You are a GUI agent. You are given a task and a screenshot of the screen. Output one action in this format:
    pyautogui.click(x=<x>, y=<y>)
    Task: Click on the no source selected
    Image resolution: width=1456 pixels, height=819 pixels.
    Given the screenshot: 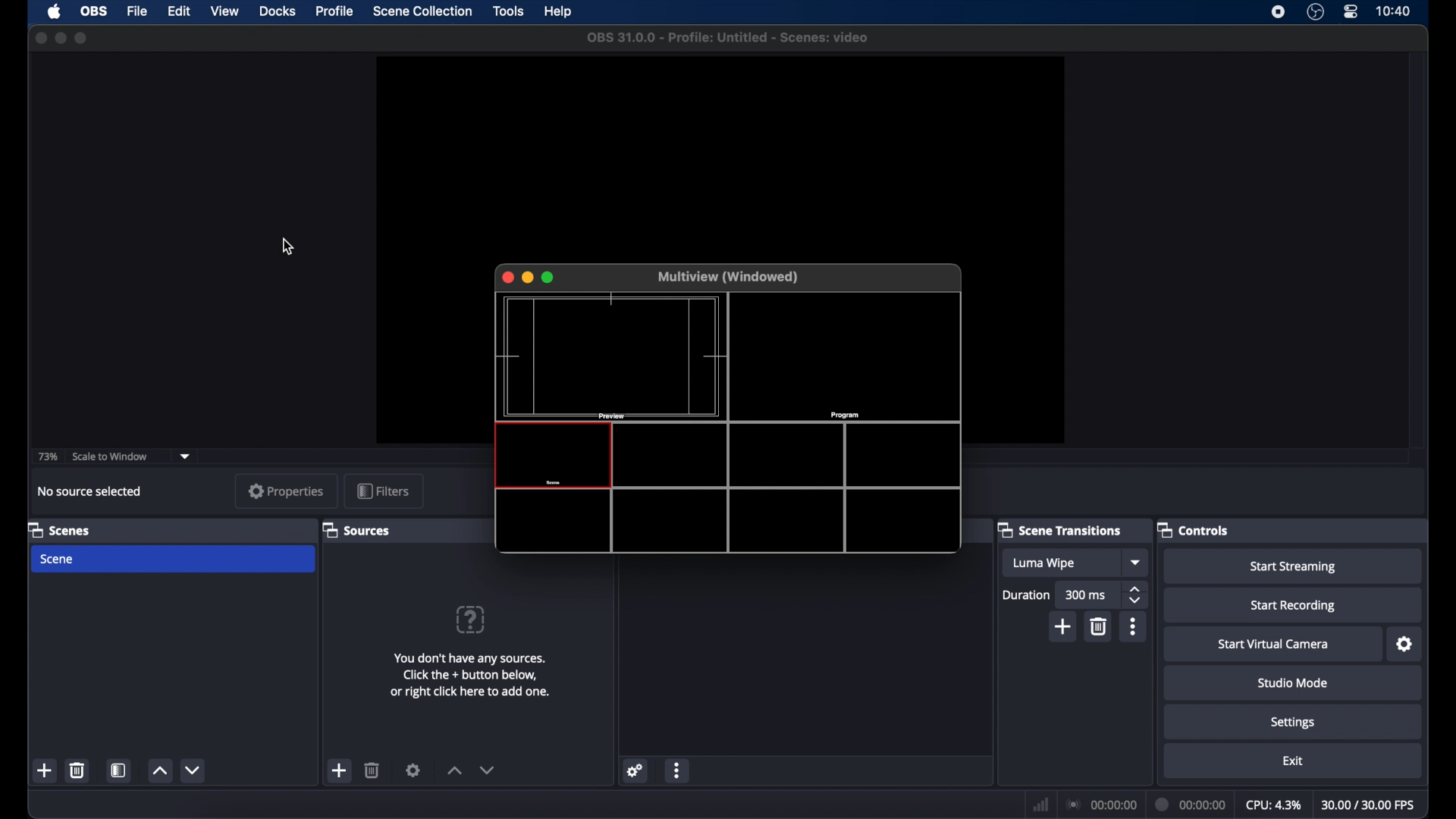 What is the action you would take?
    pyautogui.click(x=90, y=491)
    